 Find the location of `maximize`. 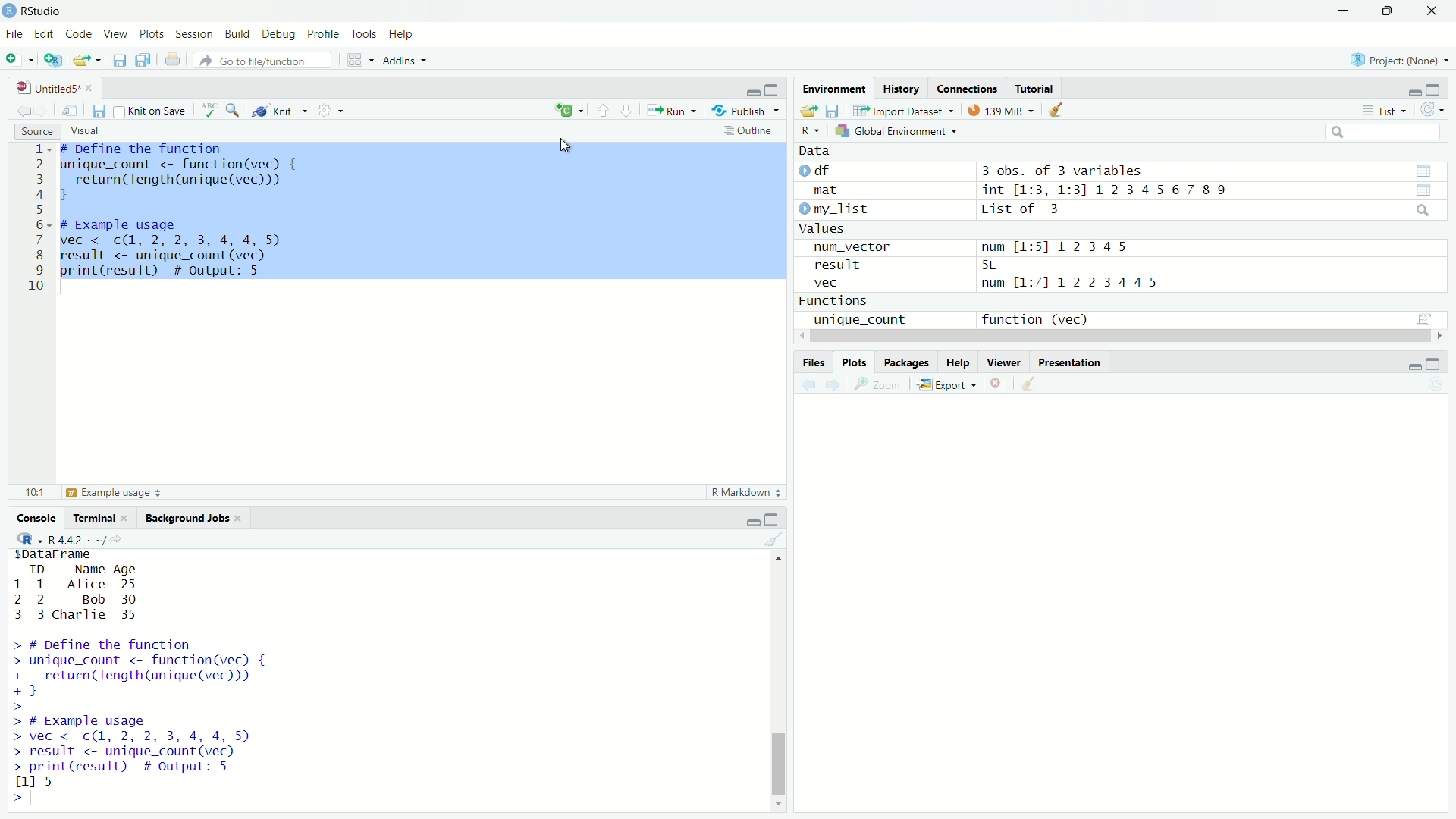

maximize is located at coordinates (1432, 364).